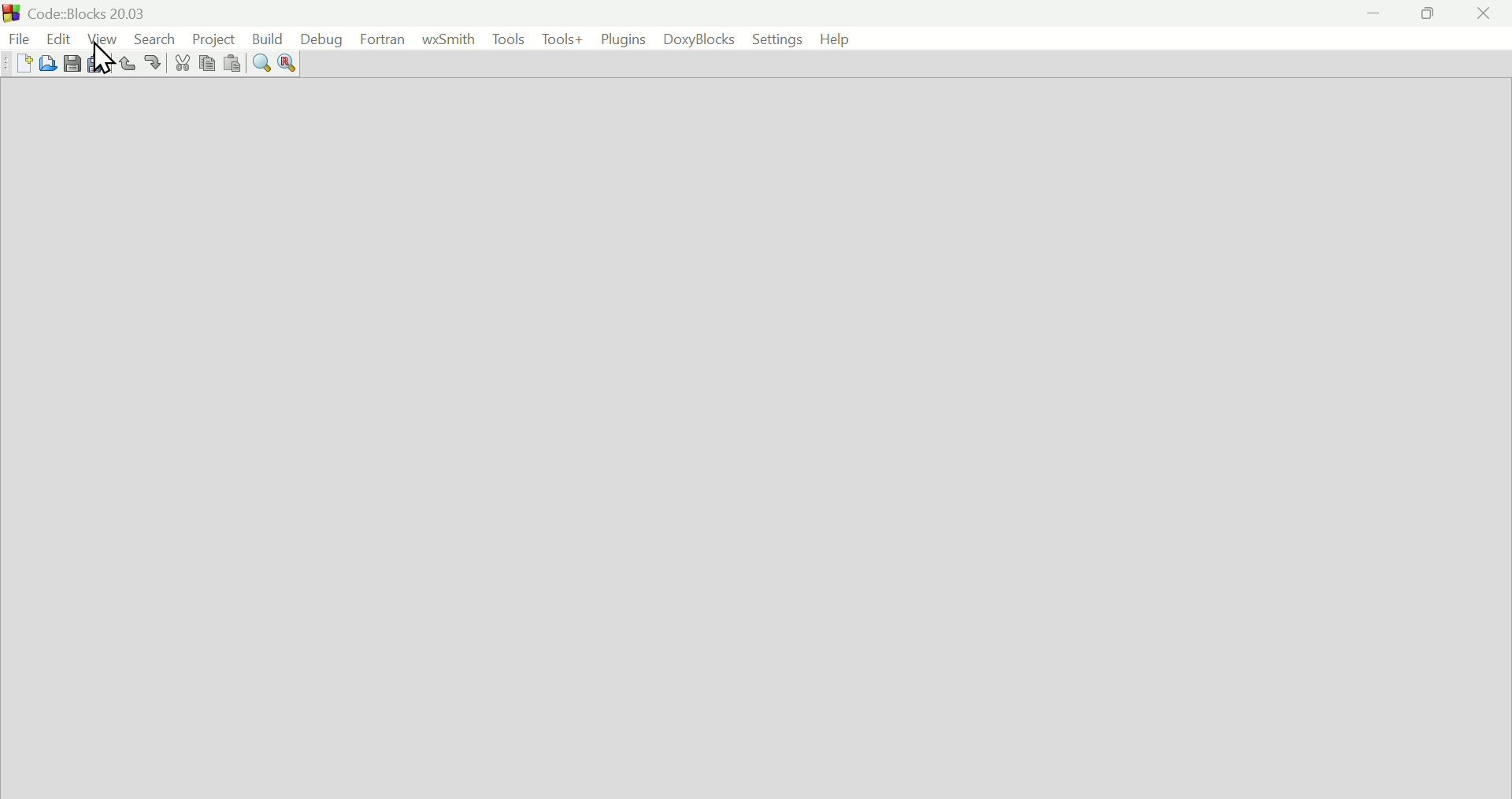 This screenshot has width=1512, height=799. What do you see at coordinates (128, 65) in the screenshot?
I see `Undo` at bounding box center [128, 65].